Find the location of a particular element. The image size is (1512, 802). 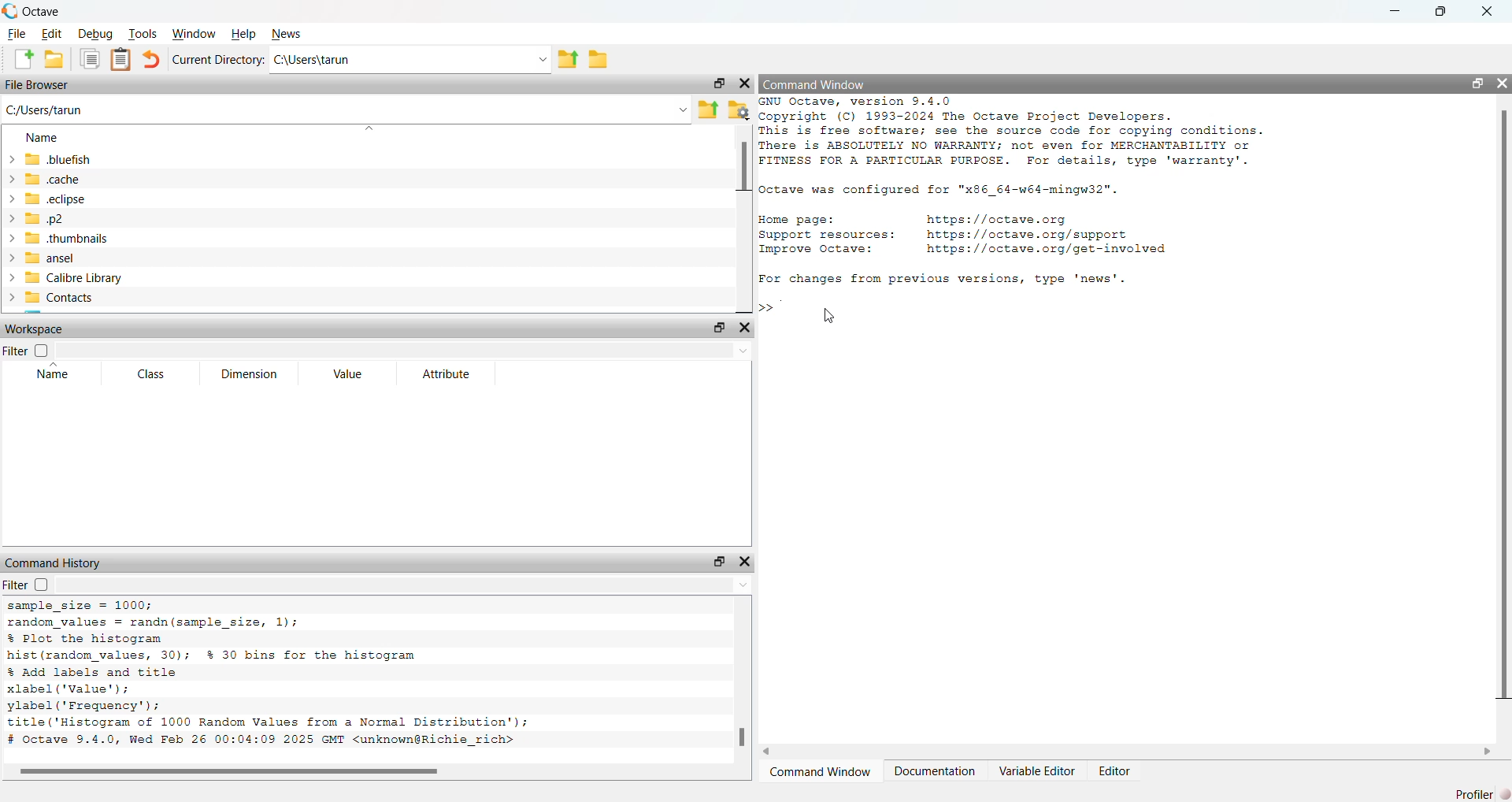

clipboard is located at coordinates (121, 58).